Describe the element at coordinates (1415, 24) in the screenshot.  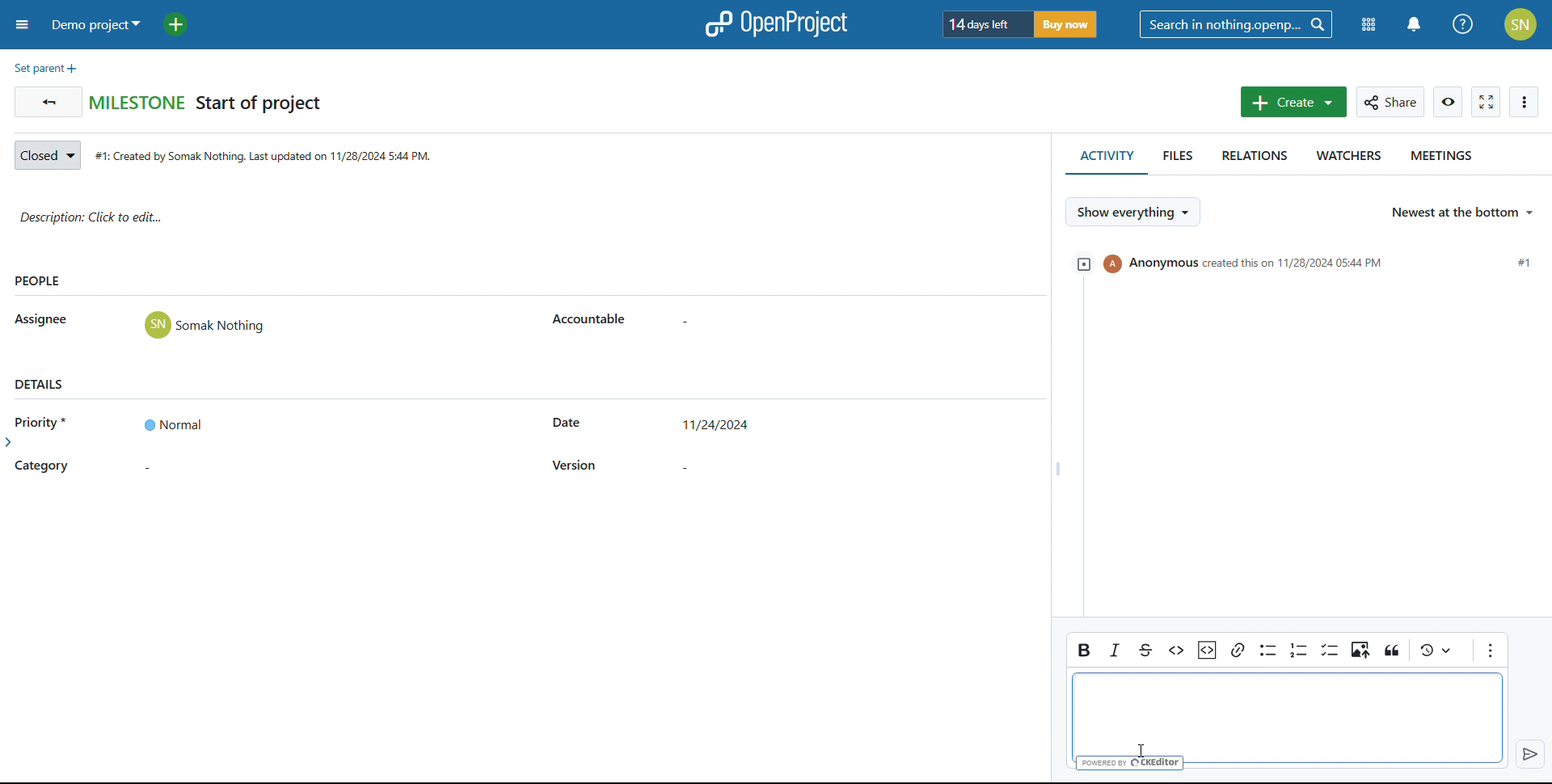
I see `notifications` at that location.